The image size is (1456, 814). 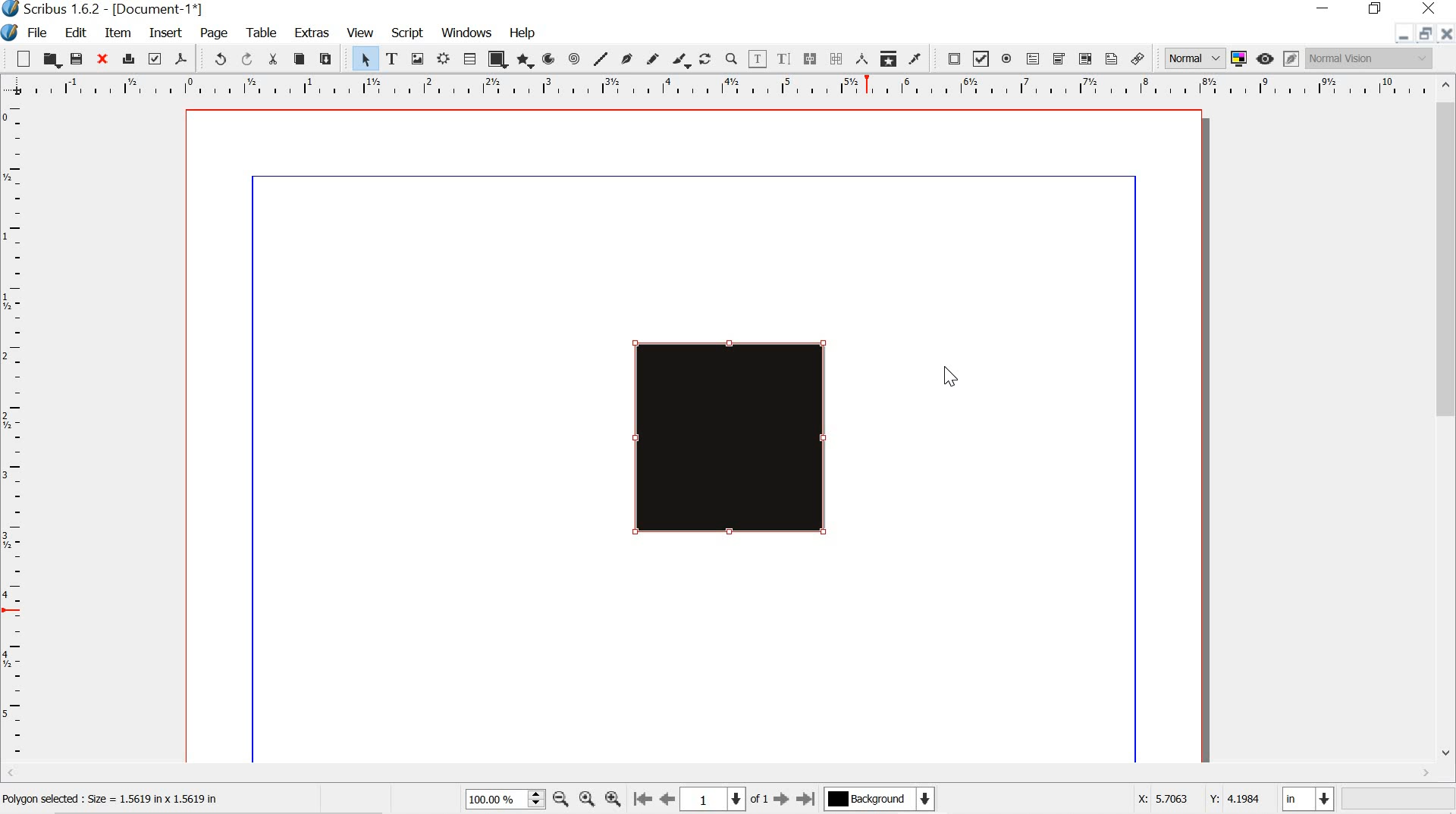 I want to click on scrollbar, so click(x=1445, y=422).